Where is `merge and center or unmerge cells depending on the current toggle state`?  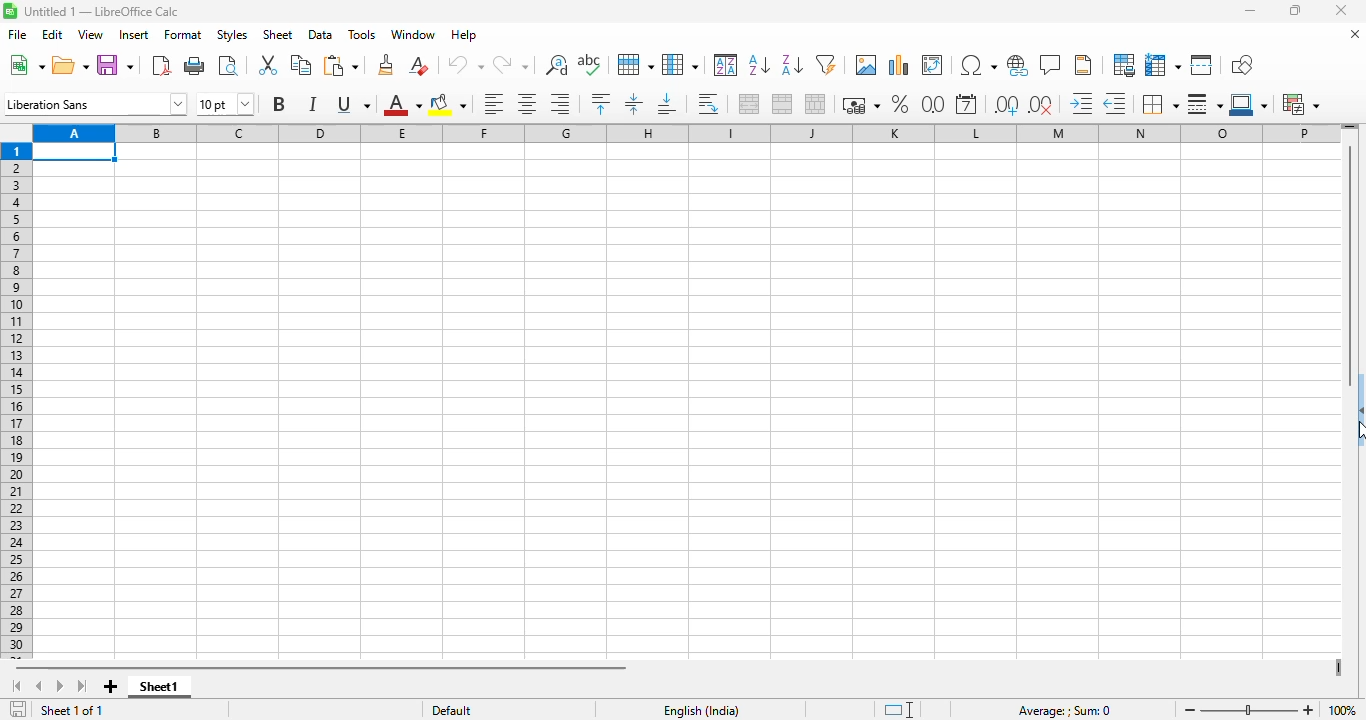 merge and center or unmerge cells depending on the current toggle state is located at coordinates (750, 104).